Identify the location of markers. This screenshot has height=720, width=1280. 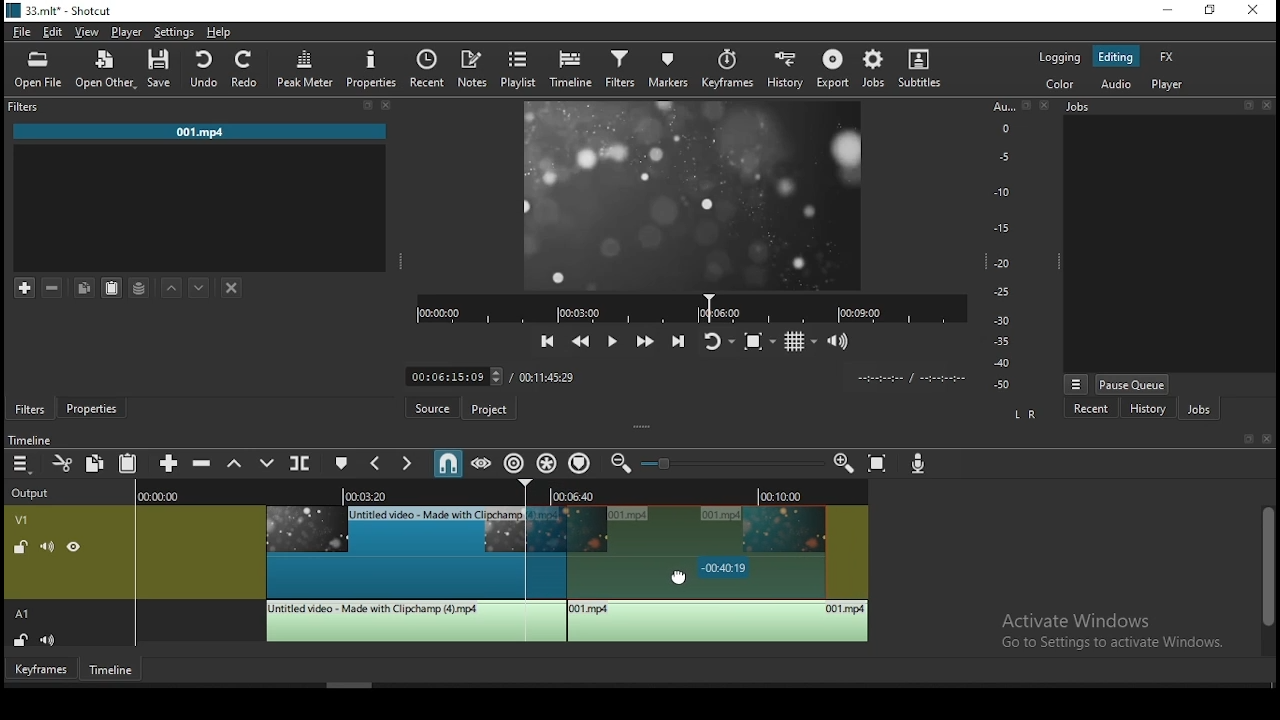
(670, 70).